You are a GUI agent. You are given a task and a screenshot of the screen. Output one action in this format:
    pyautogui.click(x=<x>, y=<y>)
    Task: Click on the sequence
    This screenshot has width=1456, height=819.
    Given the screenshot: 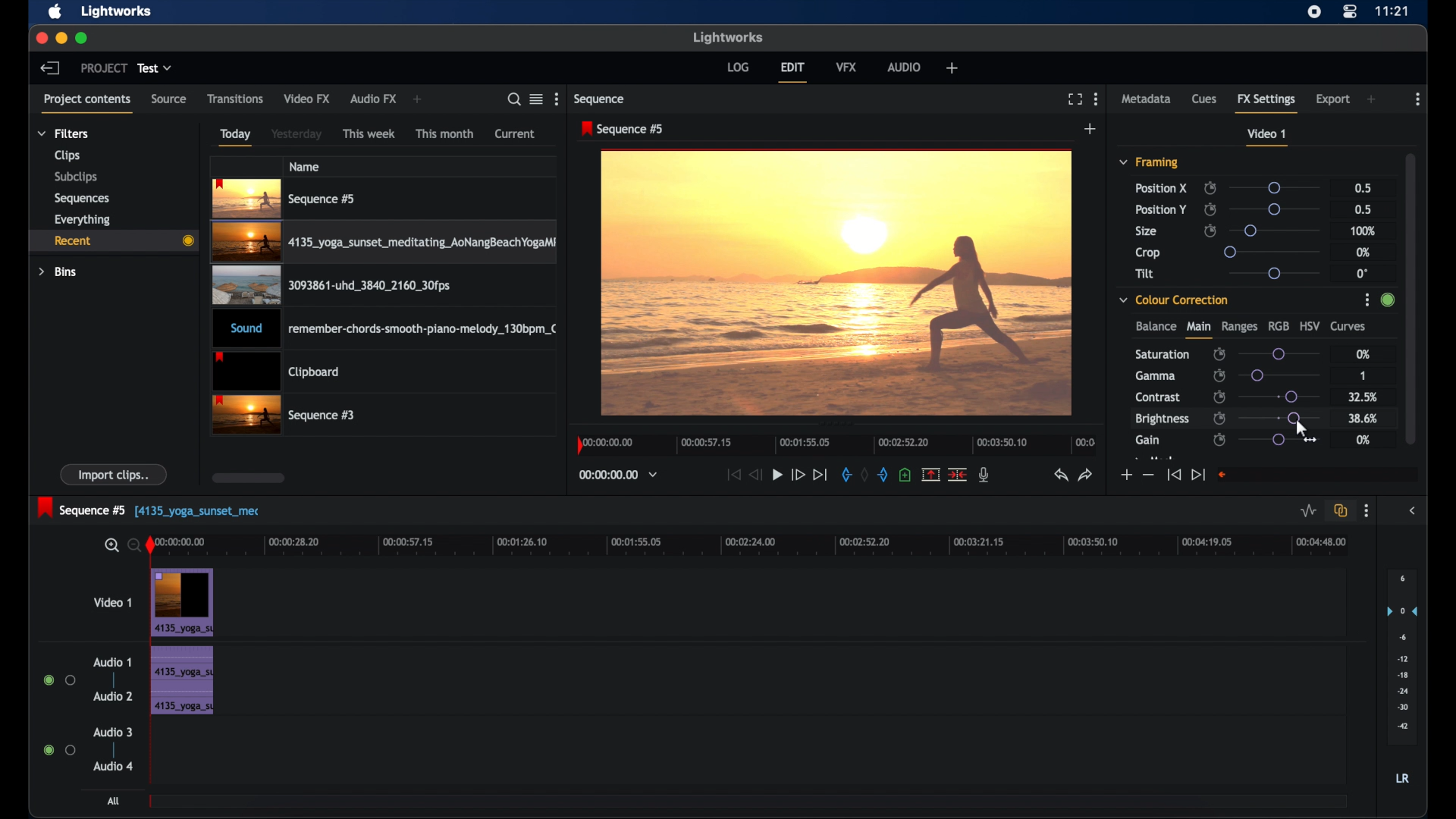 What is the action you would take?
    pyautogui.click(x=601, y=99)
    